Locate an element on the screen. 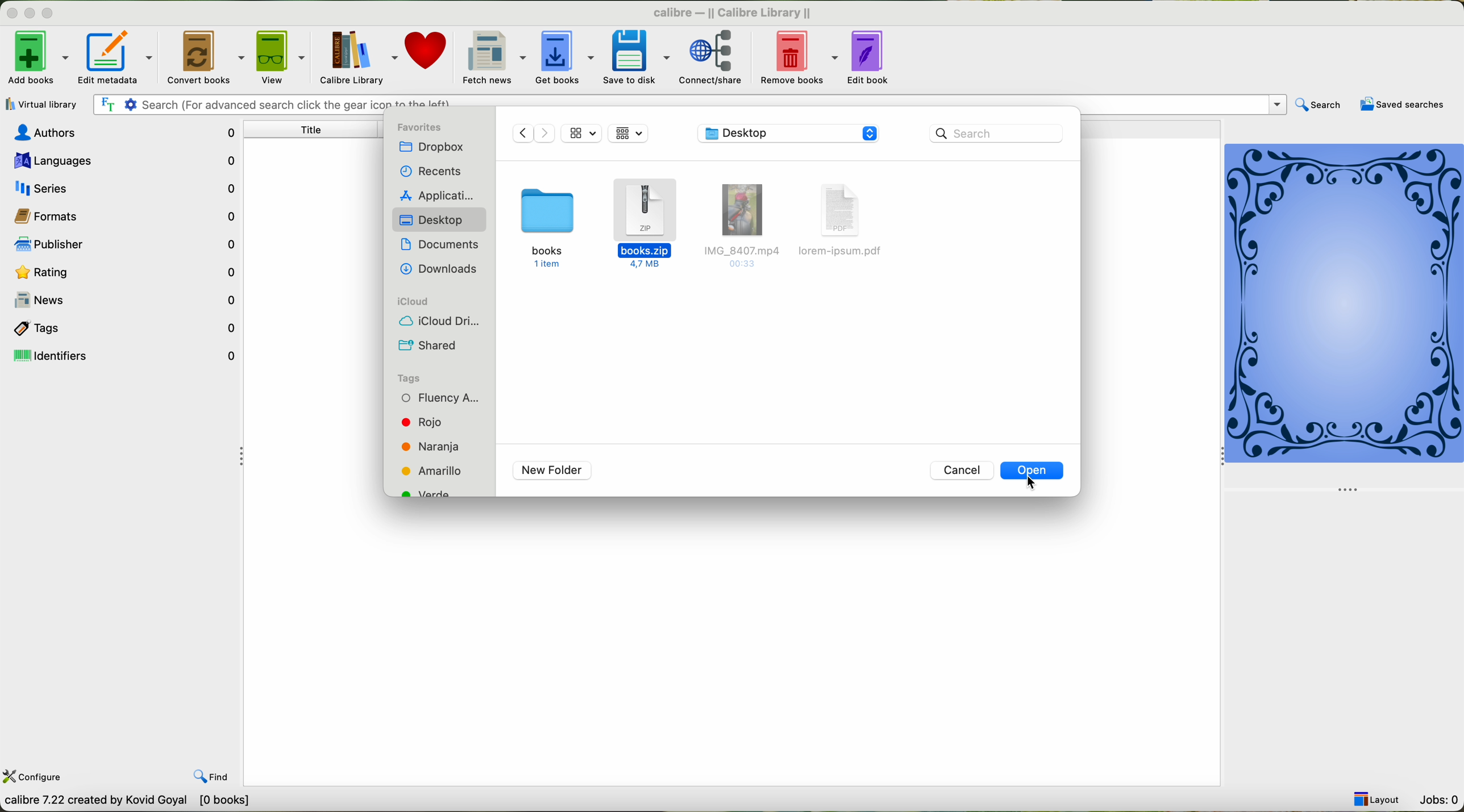 The image size is (1464, 812). add books is located at coordinates (36, 57).